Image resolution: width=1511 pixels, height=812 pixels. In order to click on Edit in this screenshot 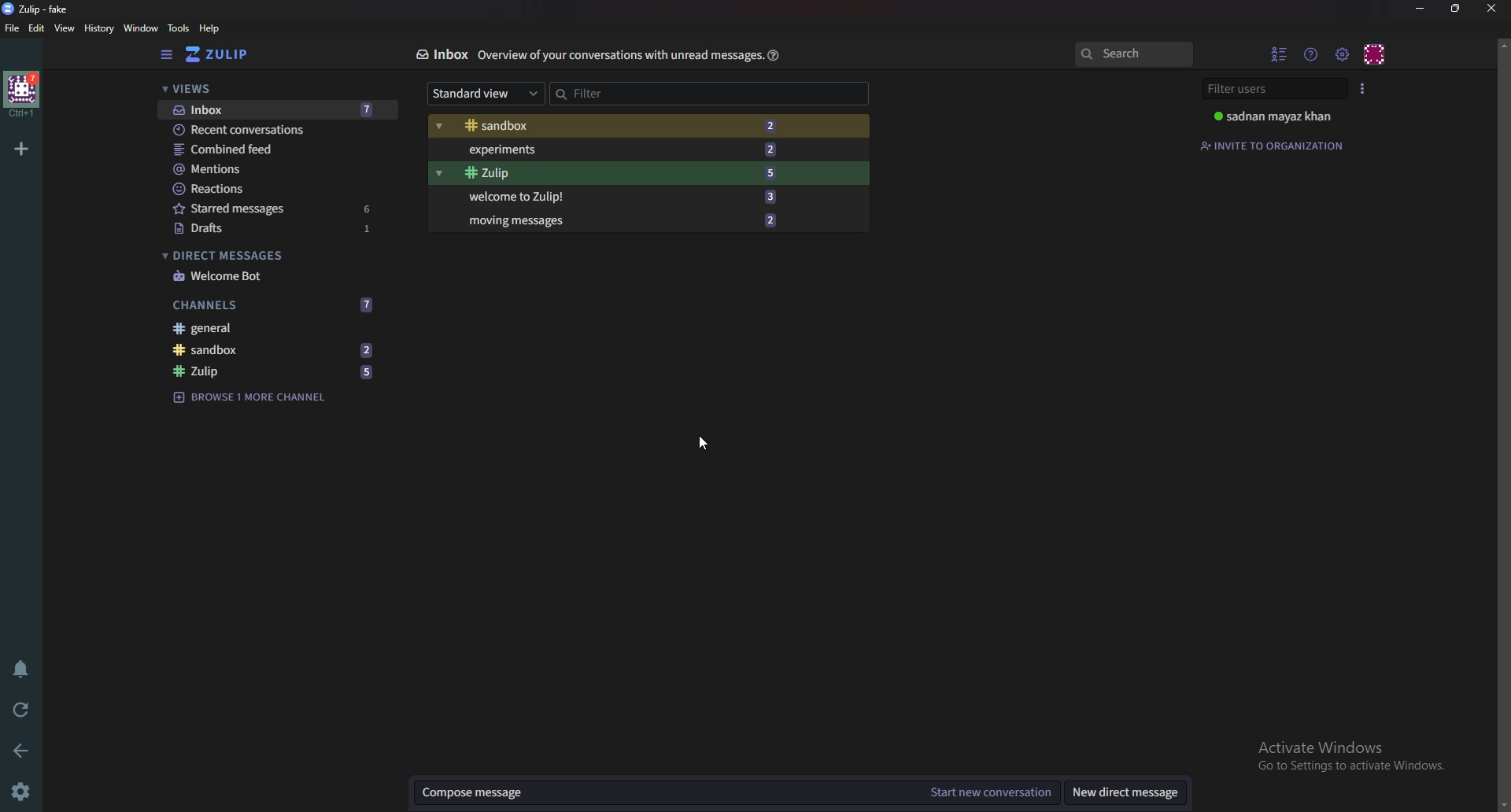, I will do `click(37, 31)`.